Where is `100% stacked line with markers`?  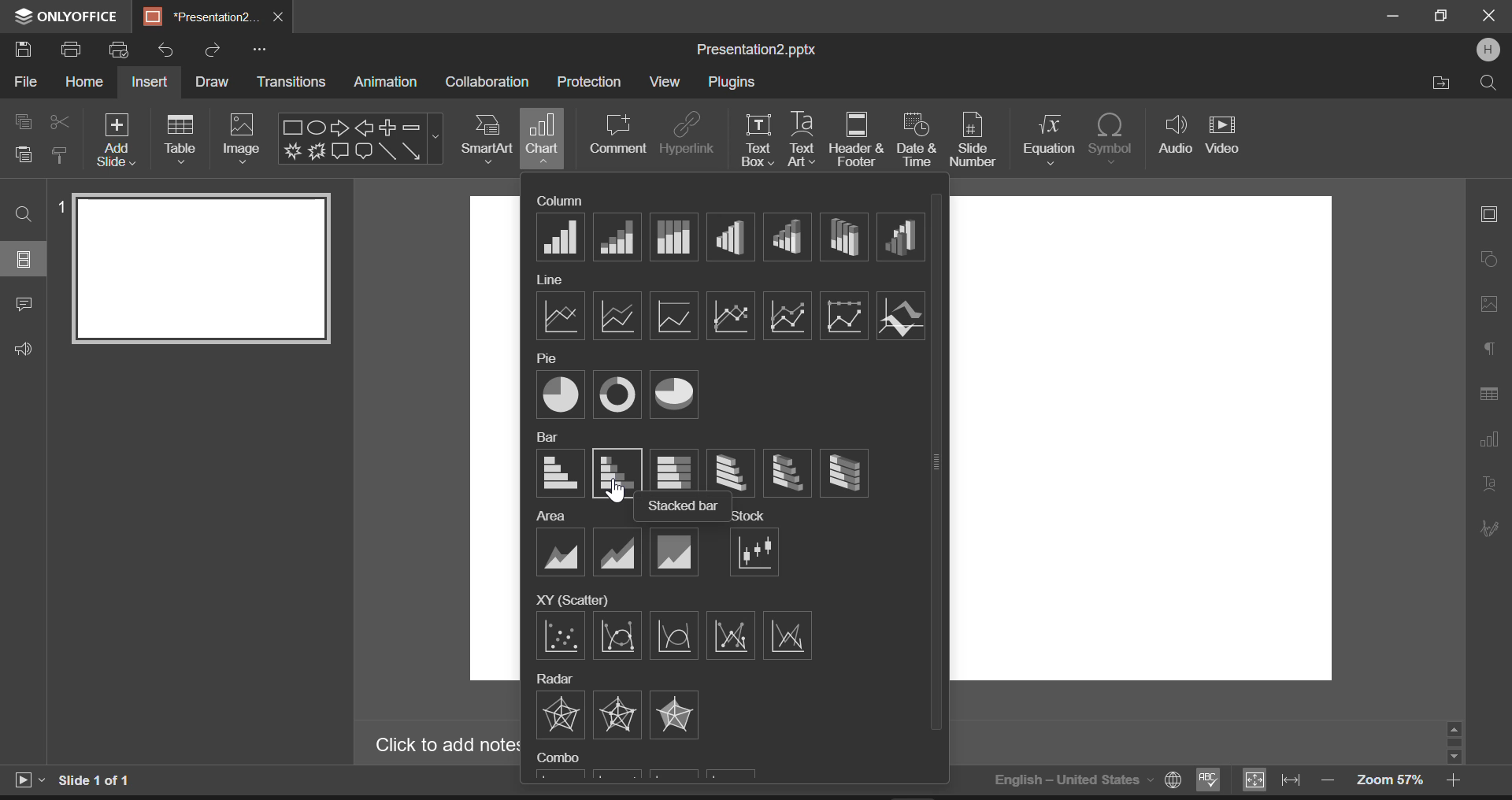 100% stacked line with markers is located at coordinates (843, 314).